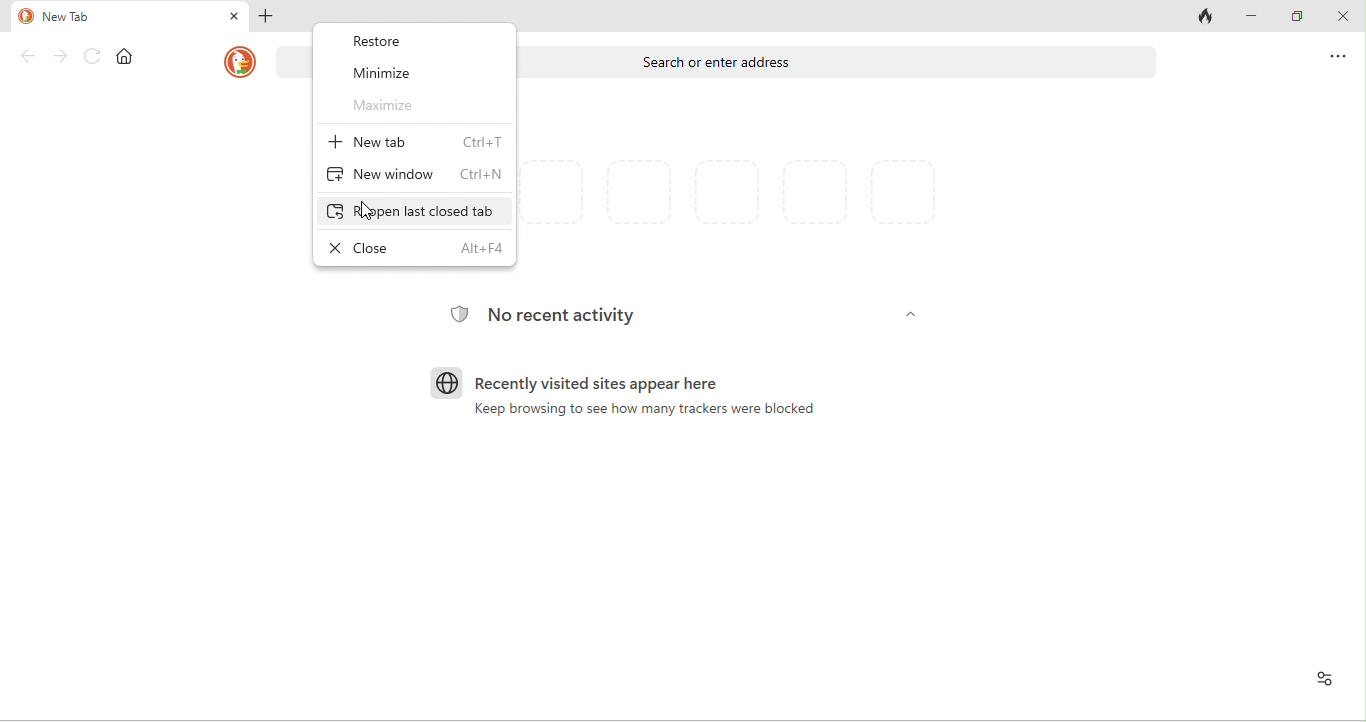 This screenshot has width=1366, height=722. I want to click on keep browsing to see how many trackers were blocked, so click(645, 411).